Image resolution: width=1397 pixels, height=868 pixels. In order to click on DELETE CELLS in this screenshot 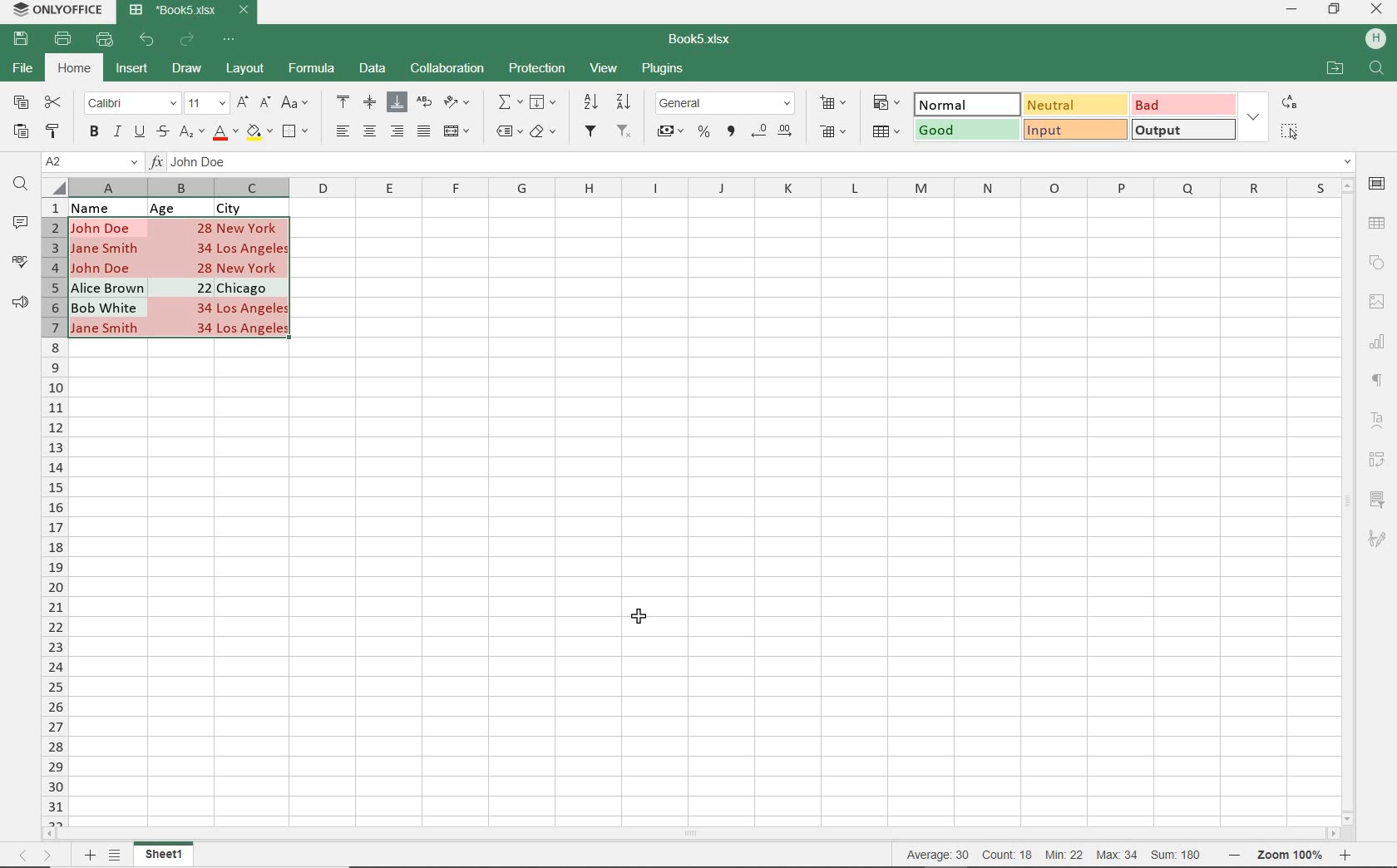, I will do `click(835, 133)`.